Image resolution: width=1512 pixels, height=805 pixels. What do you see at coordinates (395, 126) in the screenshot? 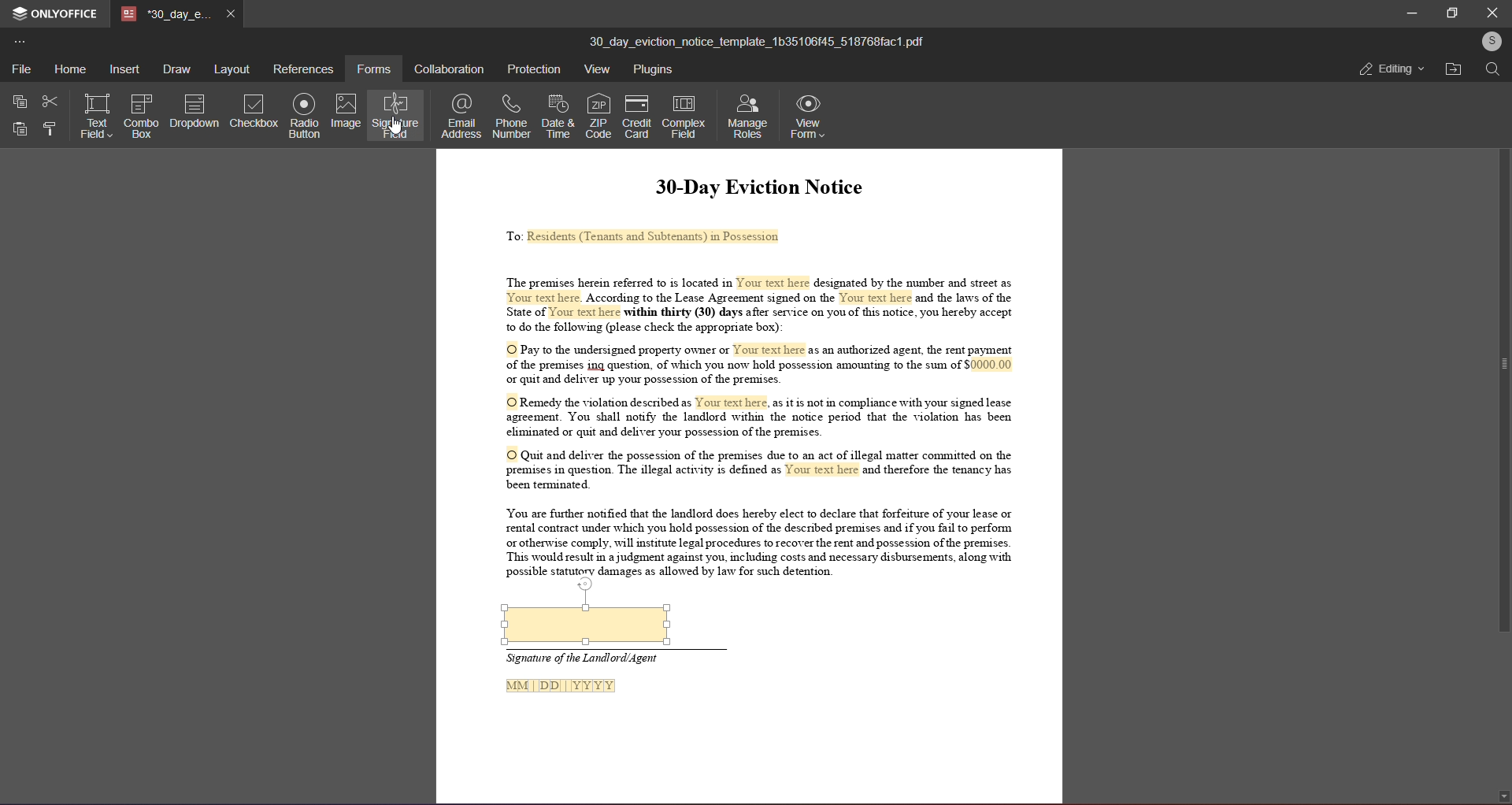
I see `cursor` at bounding box center [395, 126].